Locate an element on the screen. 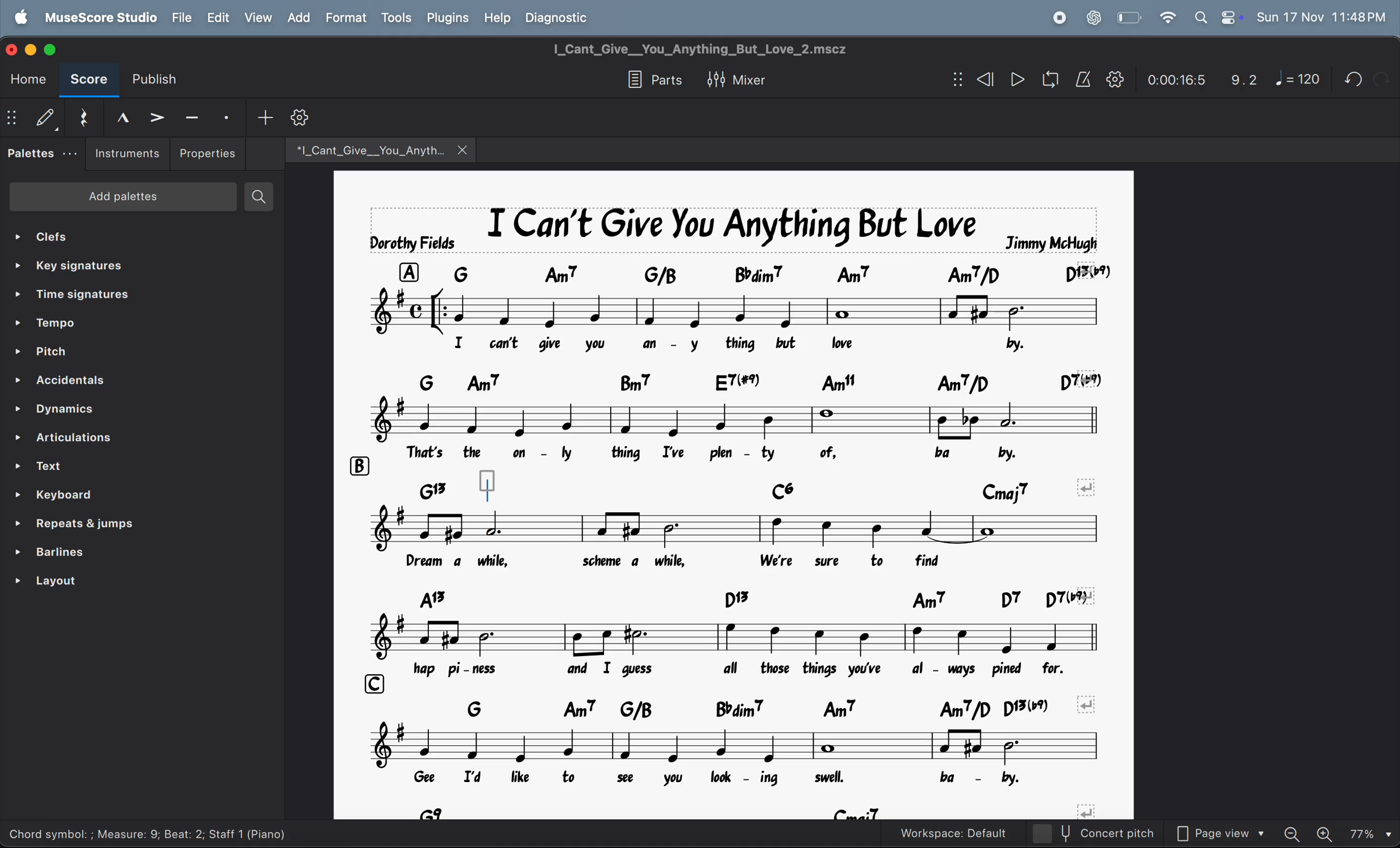 Image resolution: width=1400 pixels, height=848 pixels. note 120 is located at coordinates (1296, 79).